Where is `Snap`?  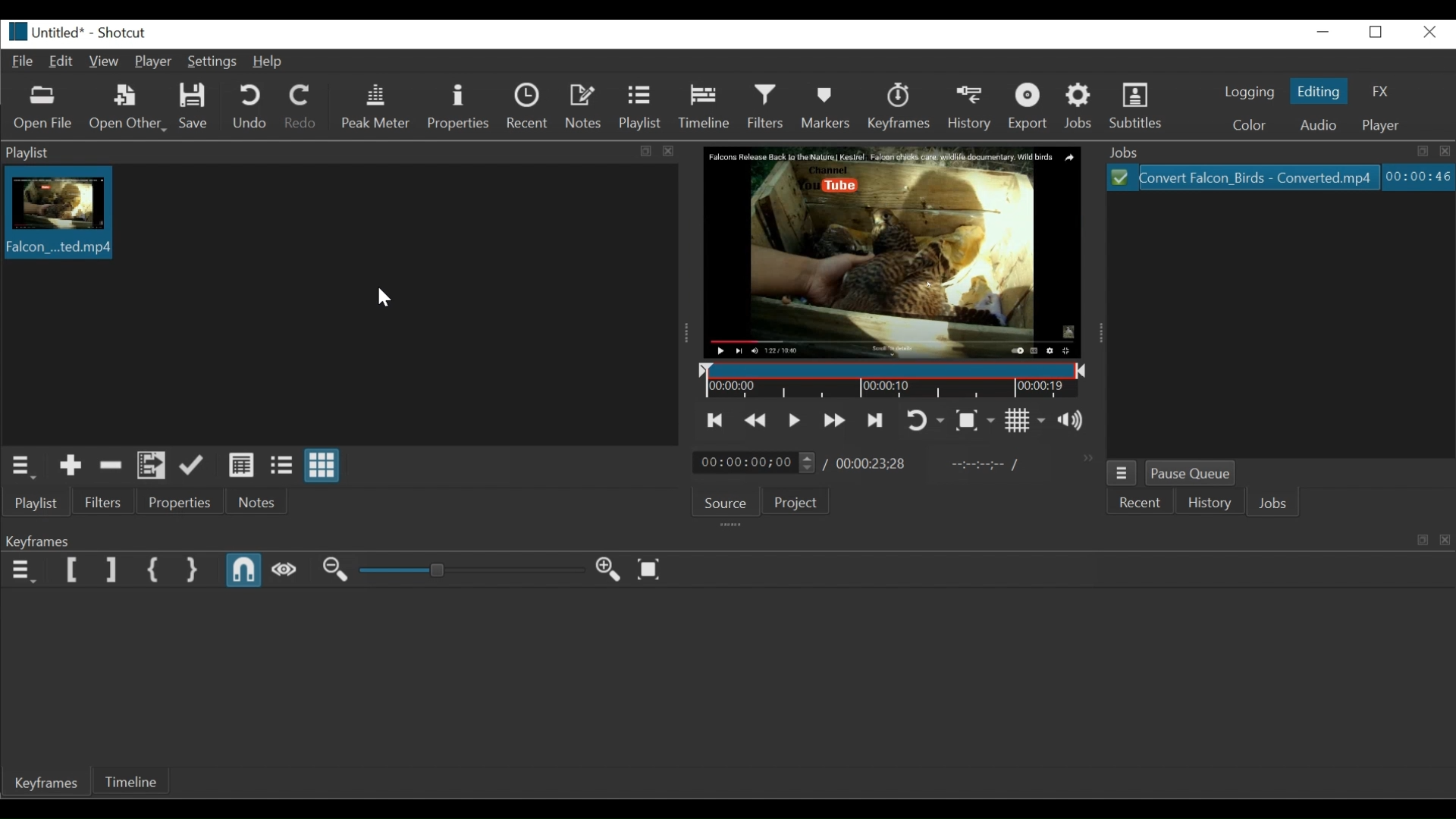
Snap is located at coordinates (245, 571).